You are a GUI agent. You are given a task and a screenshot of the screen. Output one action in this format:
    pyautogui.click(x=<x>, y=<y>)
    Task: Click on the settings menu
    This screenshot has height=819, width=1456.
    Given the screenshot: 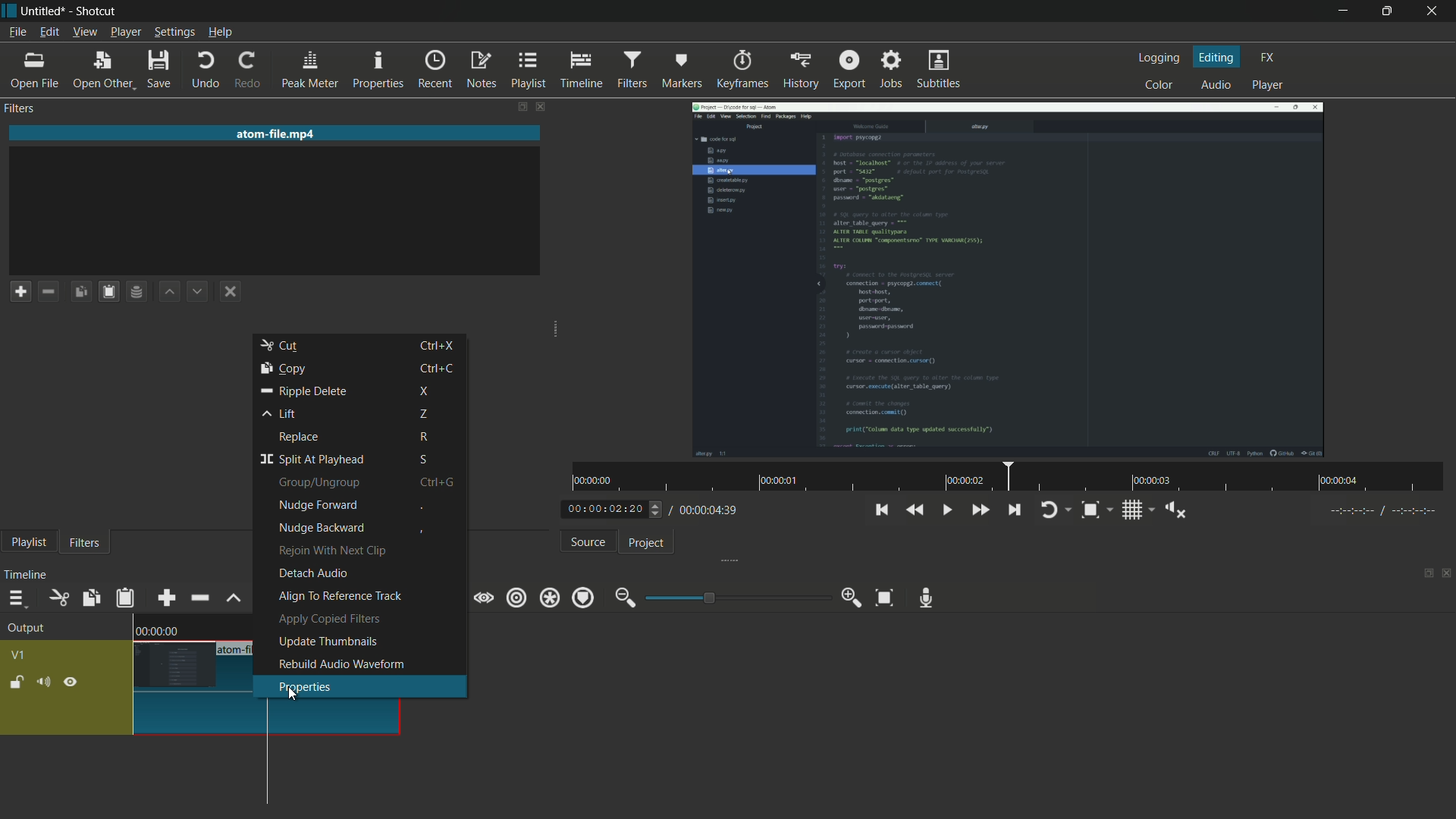 What is the action you would take?
    pyautogui.click(x=175, y=33)
    